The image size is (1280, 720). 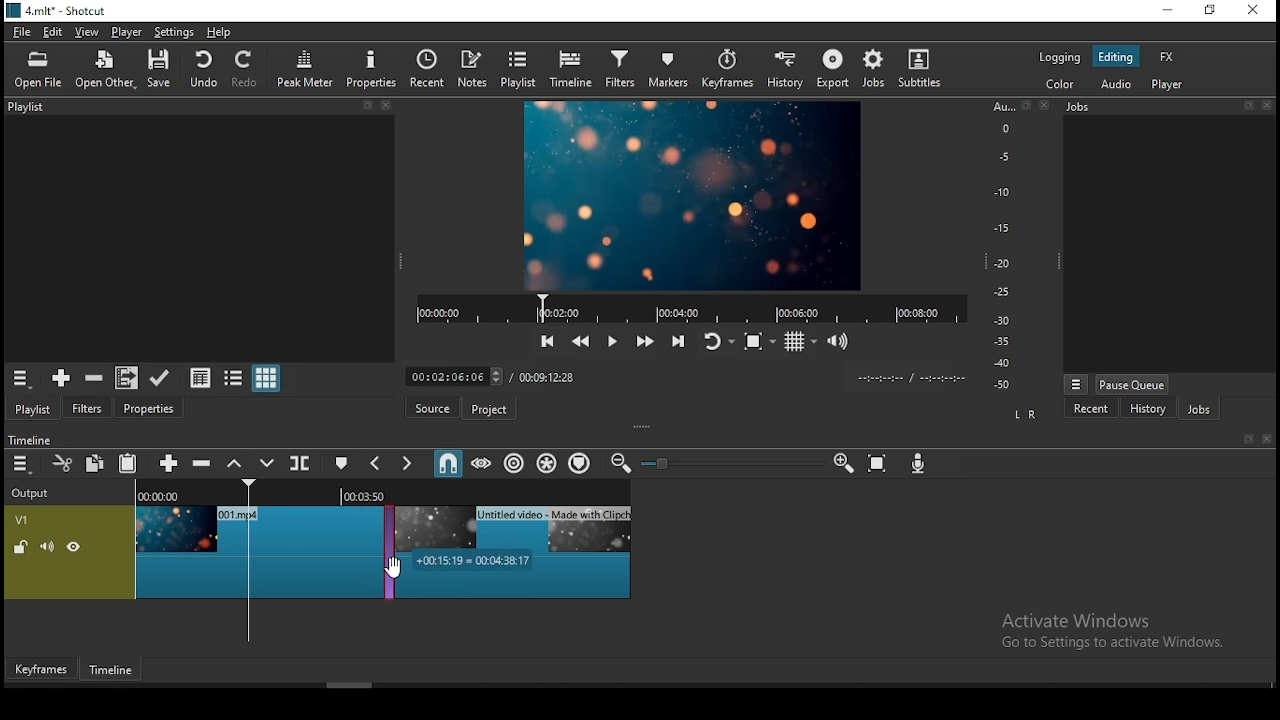 I want to click on filters, so click(x=623, y=69).